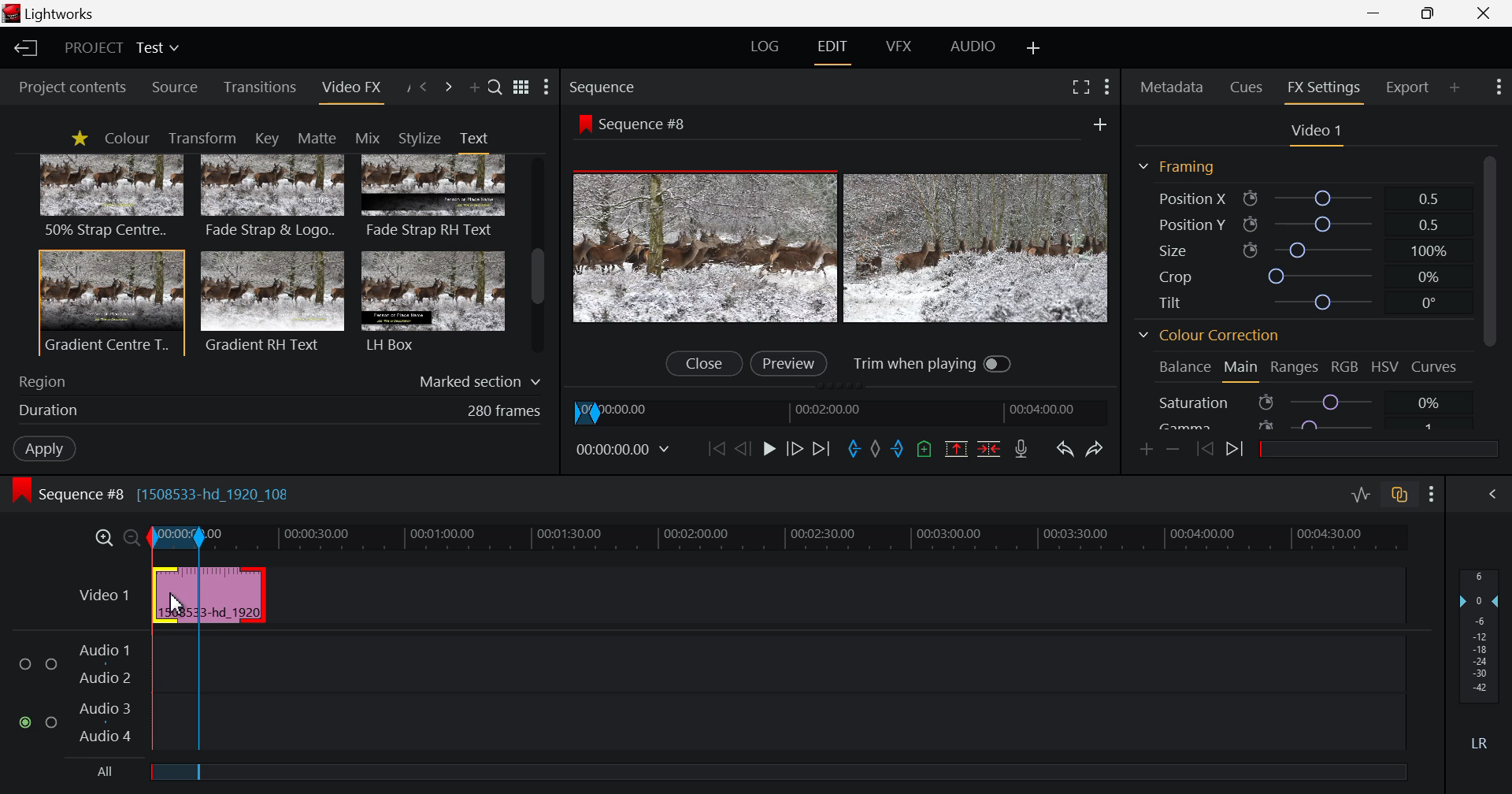 The height and width of the screenshot is (794, 1512). What do you see at coordinates (126, 139) in the screenshot?
I see `Colour` at bounding box center [126, 139].